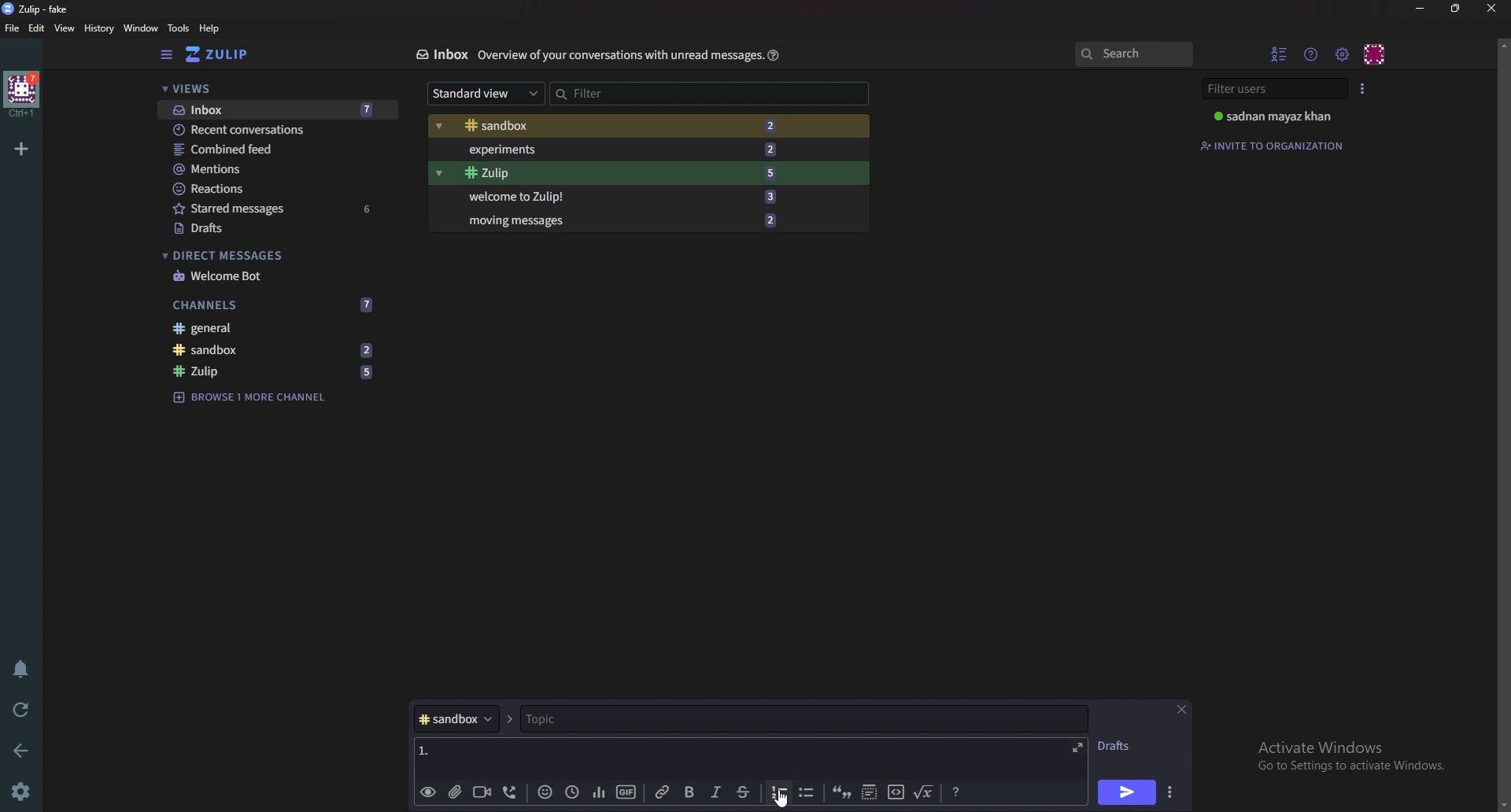  What do you see at coordinates (1275, 144) in the screenshot?
I see `Invite to organization` at bounding box center [1275, 144].